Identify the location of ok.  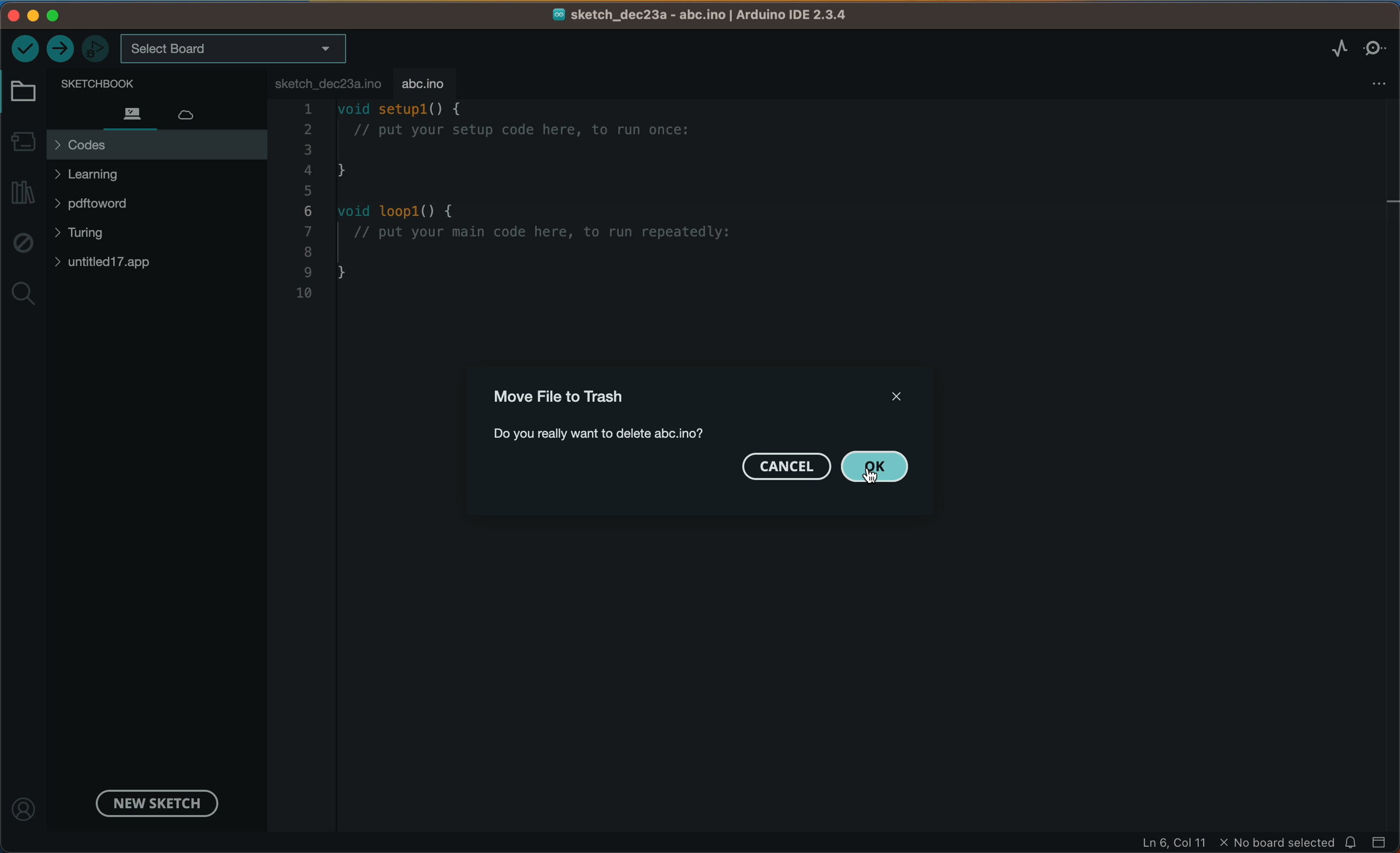
(873, 467).